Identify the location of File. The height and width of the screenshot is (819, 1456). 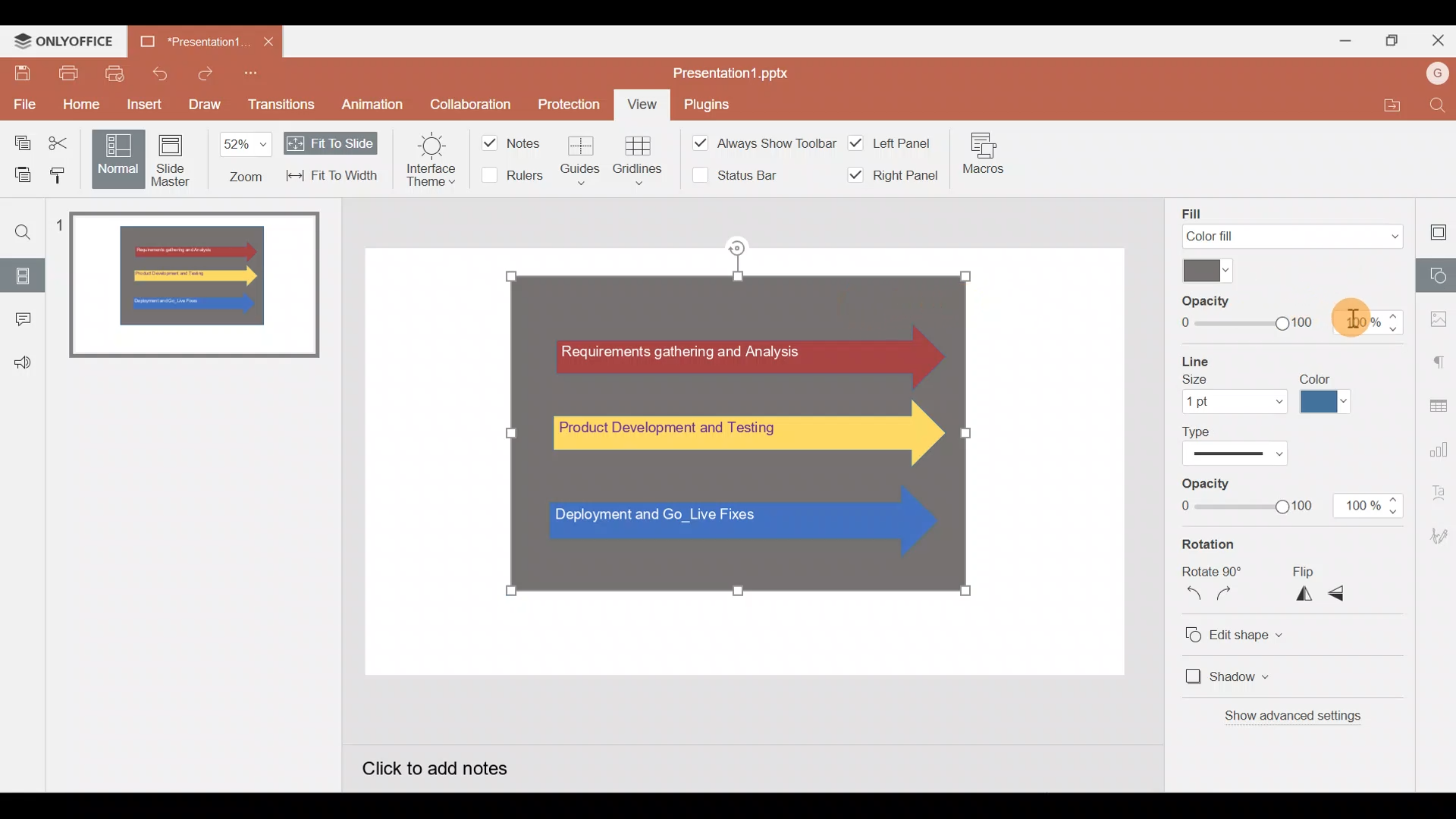
(23, 102).